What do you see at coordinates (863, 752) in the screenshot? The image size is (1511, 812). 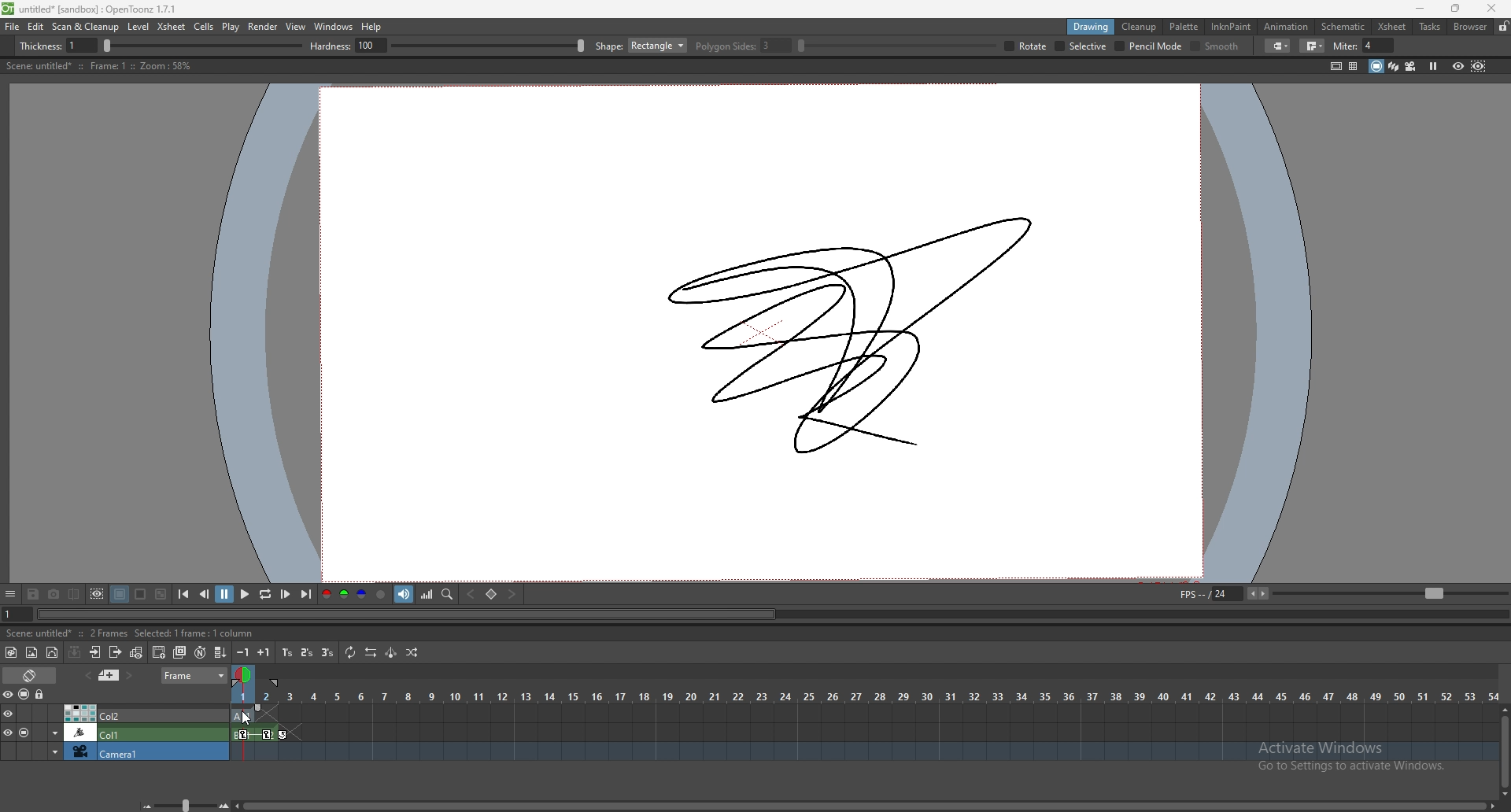 I see `timeline` at bounding box center [863, 752].